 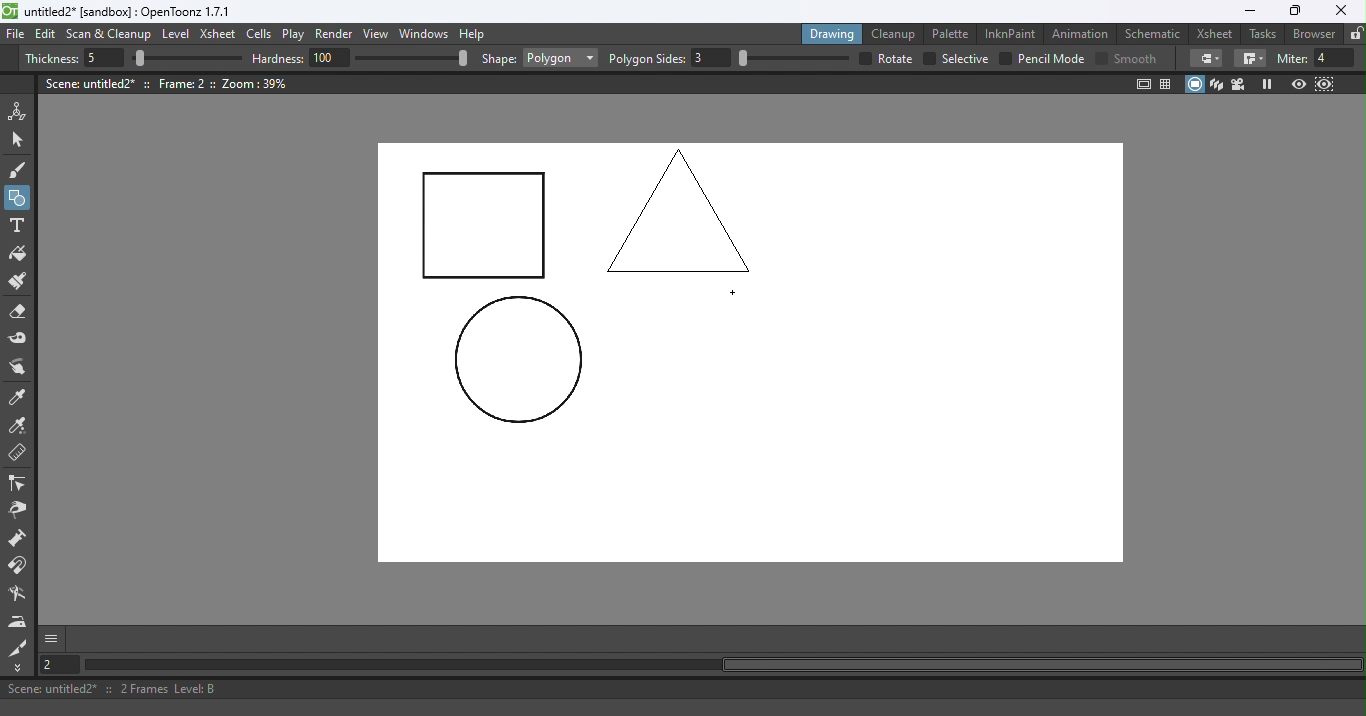 What do you see at coordinates (897, 58) in the screenshot?
I see `over all` at bounding box center [897, 58].